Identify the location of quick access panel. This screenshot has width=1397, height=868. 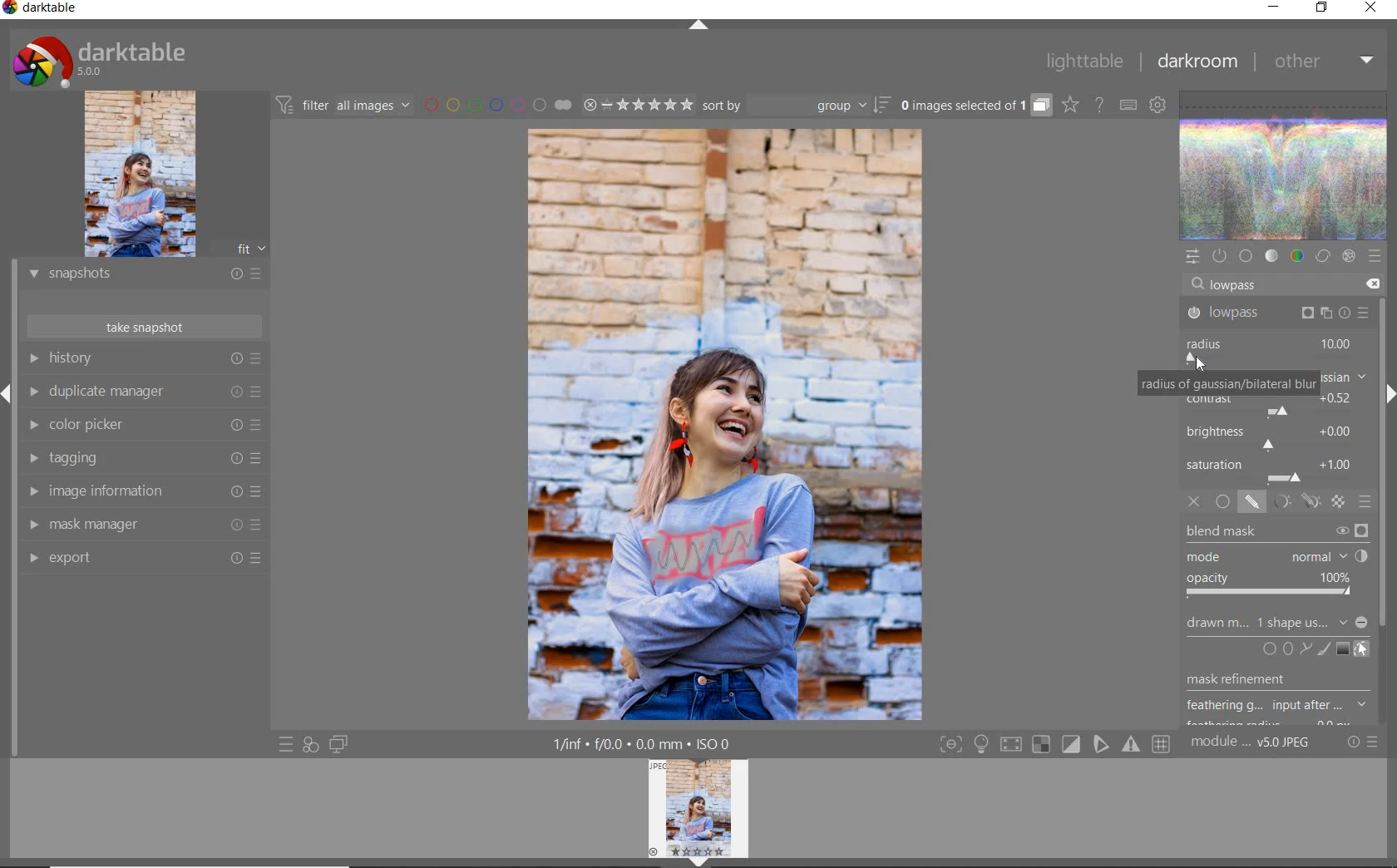
(1194, 254).